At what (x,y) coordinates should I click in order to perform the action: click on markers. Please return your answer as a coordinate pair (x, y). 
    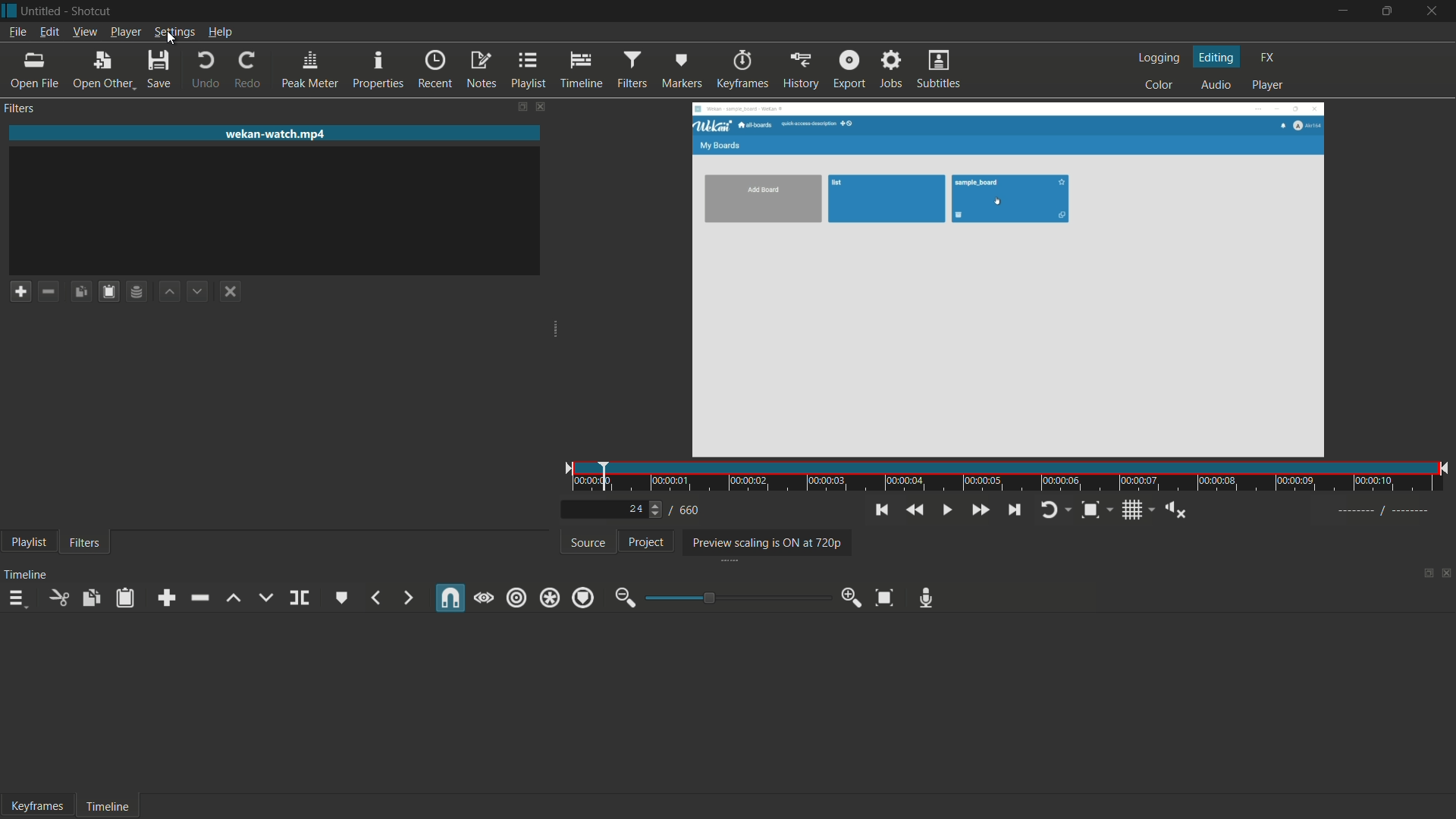
    Looking at the image, I should click on (683, 69).